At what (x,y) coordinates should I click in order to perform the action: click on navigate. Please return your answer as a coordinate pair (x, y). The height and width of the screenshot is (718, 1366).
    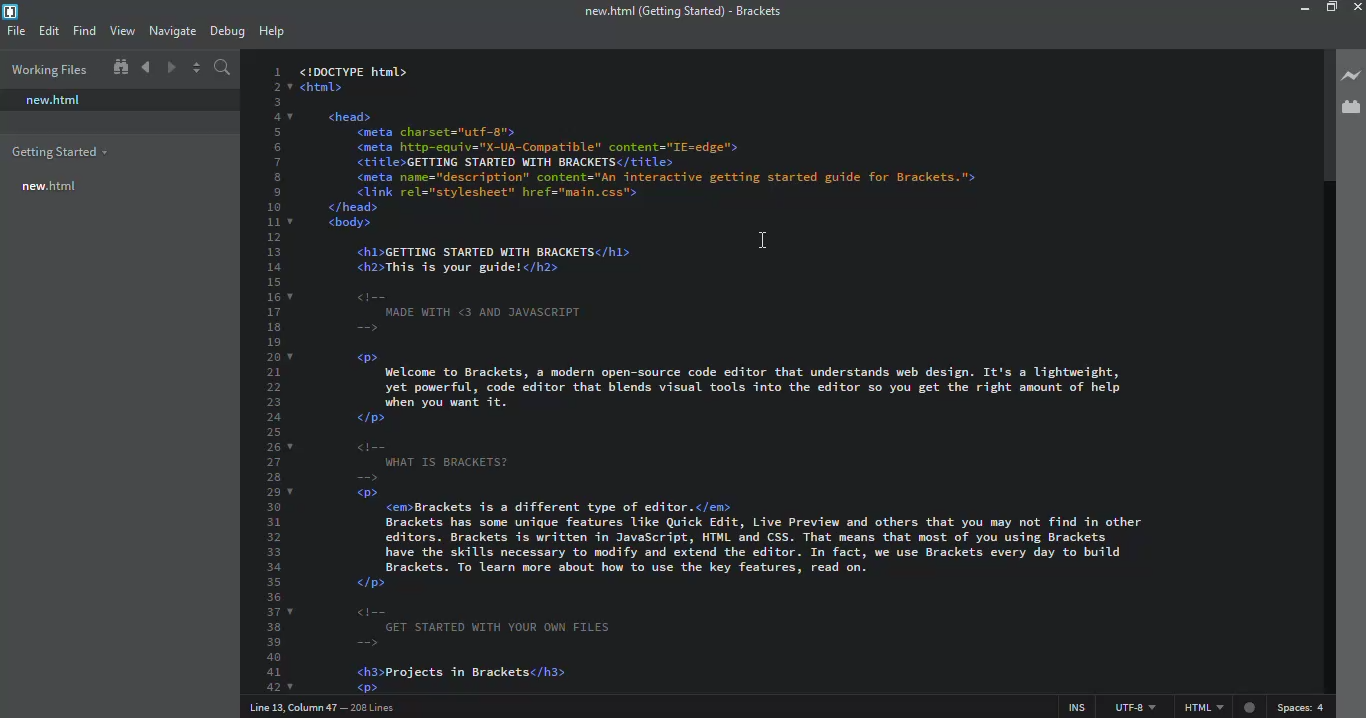
    Looking at the image, I should click on (173, 29).